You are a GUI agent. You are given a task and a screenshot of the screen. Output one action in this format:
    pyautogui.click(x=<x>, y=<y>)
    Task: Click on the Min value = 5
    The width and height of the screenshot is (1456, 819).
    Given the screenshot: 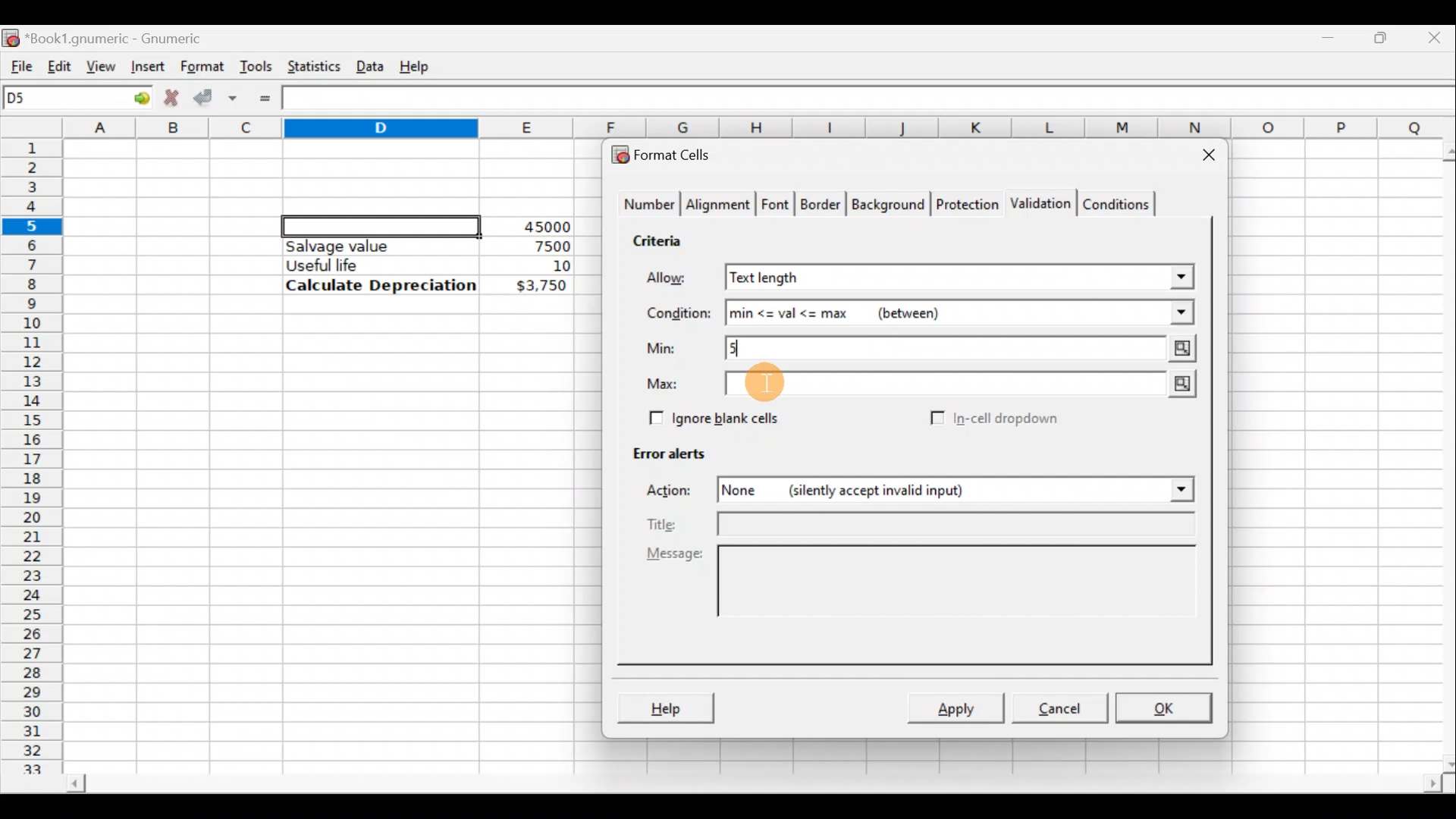 What is the action you would take?
    pyautogui.click(x=963, y=348)
    